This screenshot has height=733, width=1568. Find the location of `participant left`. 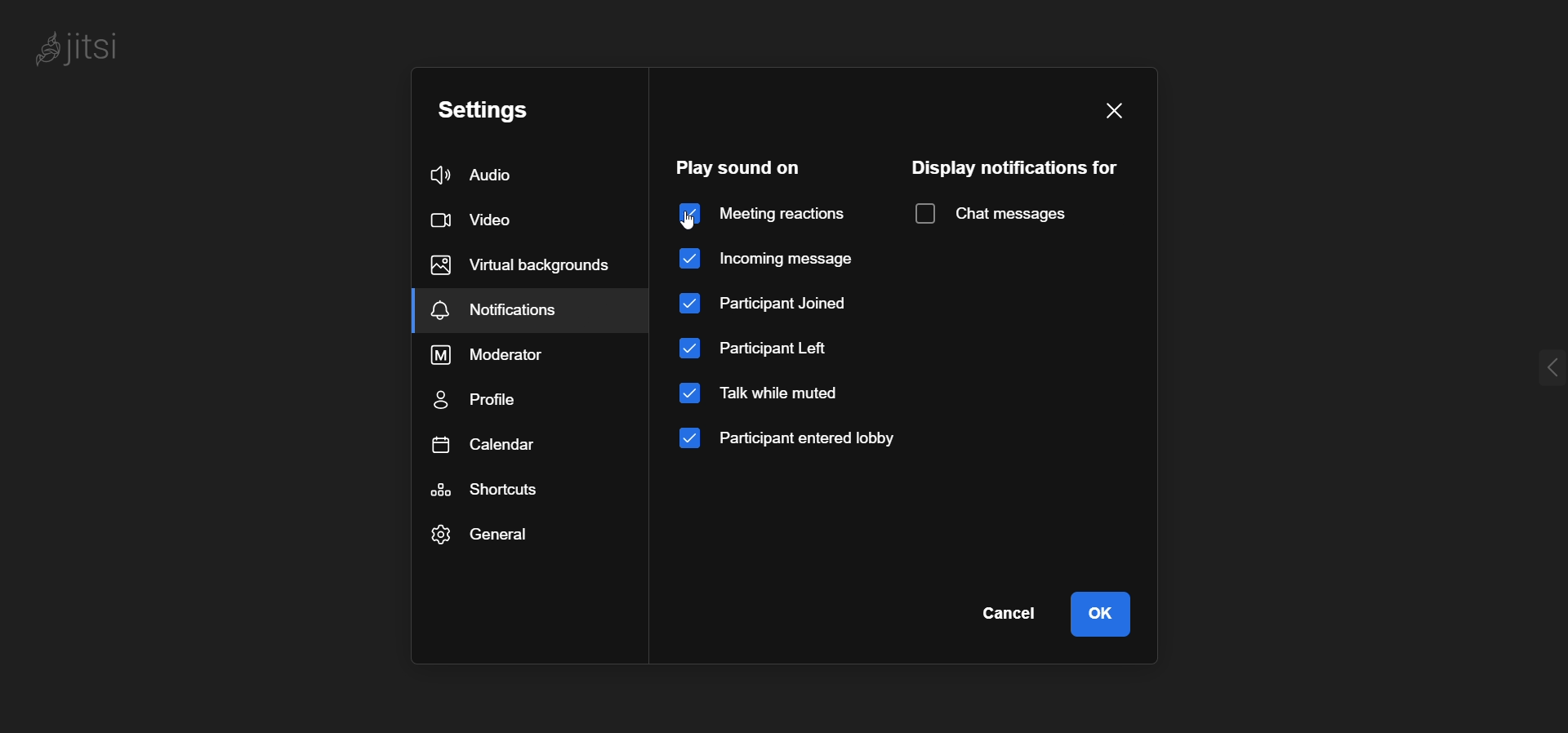

participant left is located at coordinates (756, 351).